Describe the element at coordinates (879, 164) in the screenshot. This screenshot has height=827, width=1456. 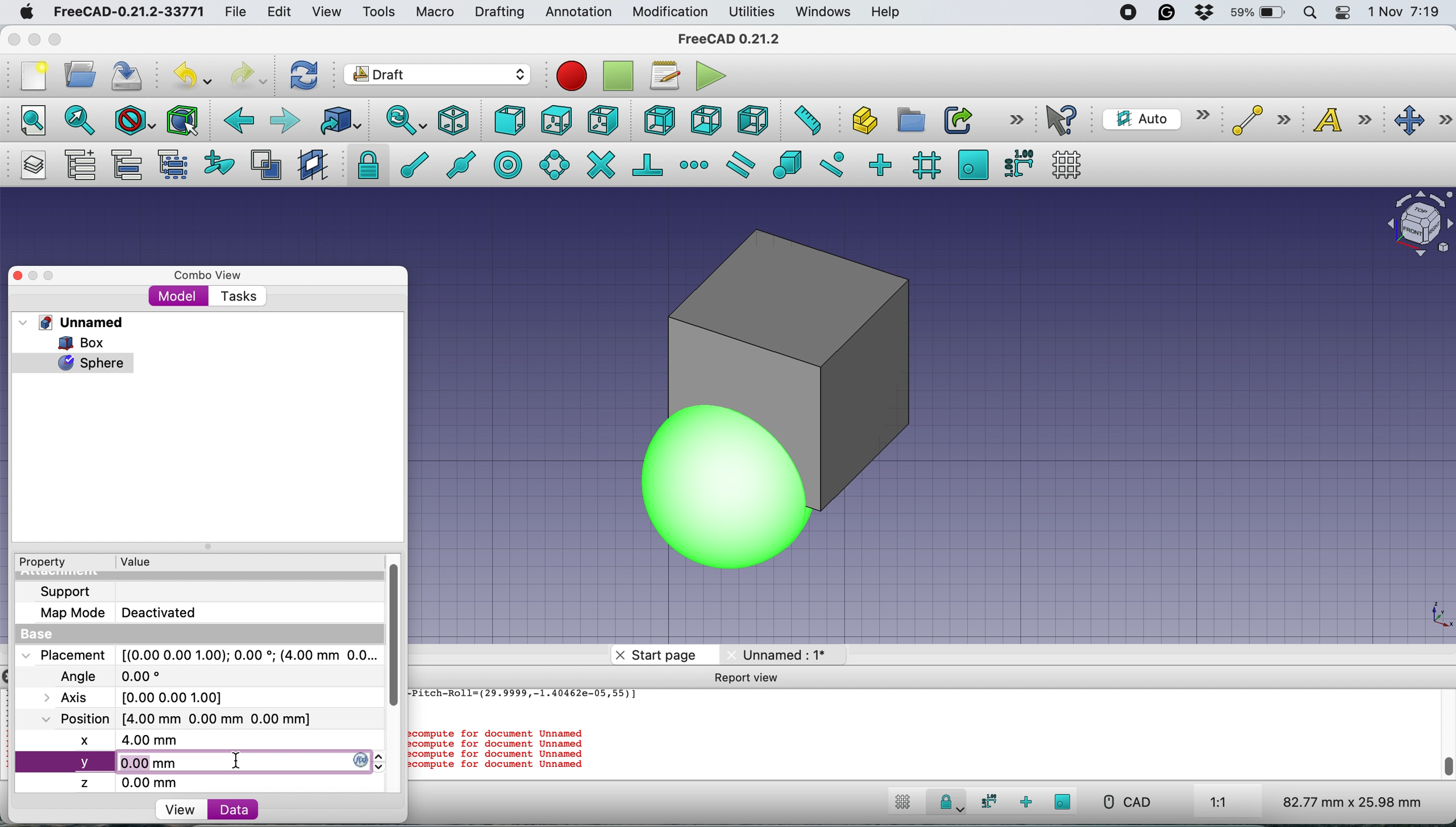
I see `snap ortho` at that location.